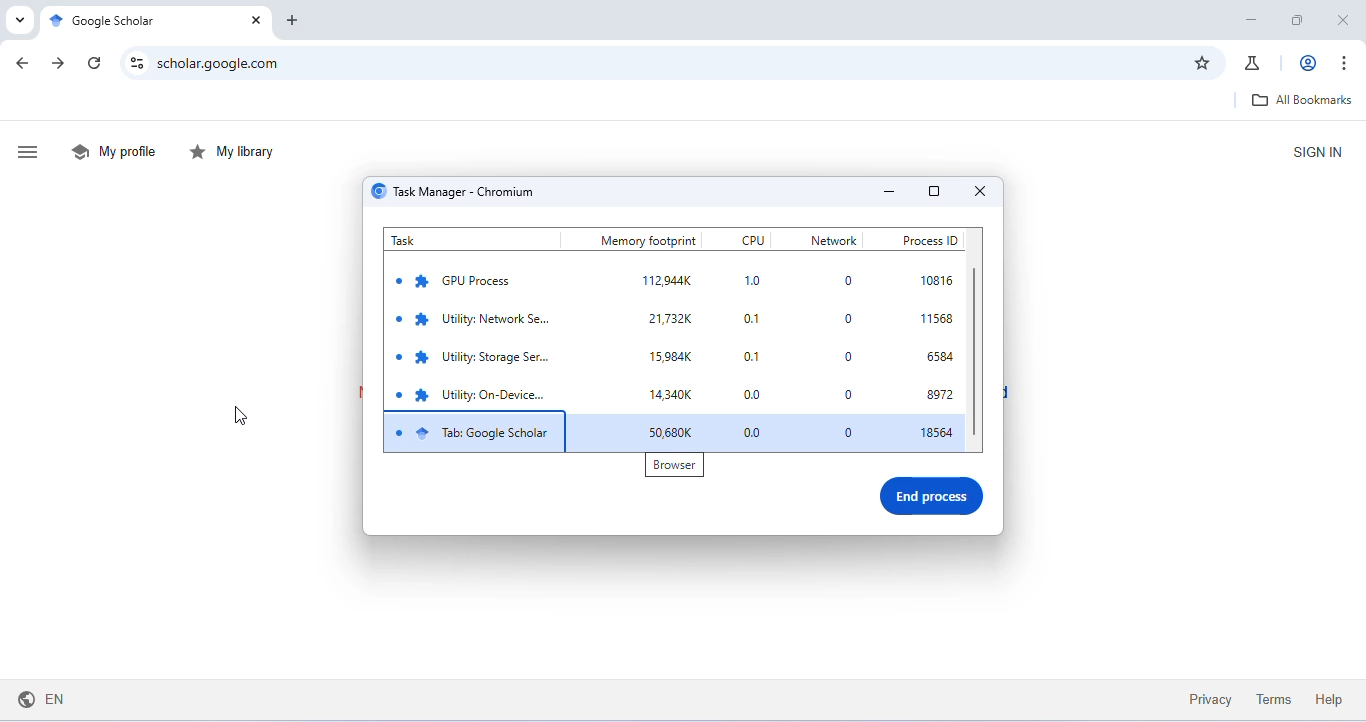 Image resolution: width=1366 pixels, height=722 pixels. What do you see at coordinates (671, 318) in the screenshot?
I see `21732k` at bounding box center [671, 318].